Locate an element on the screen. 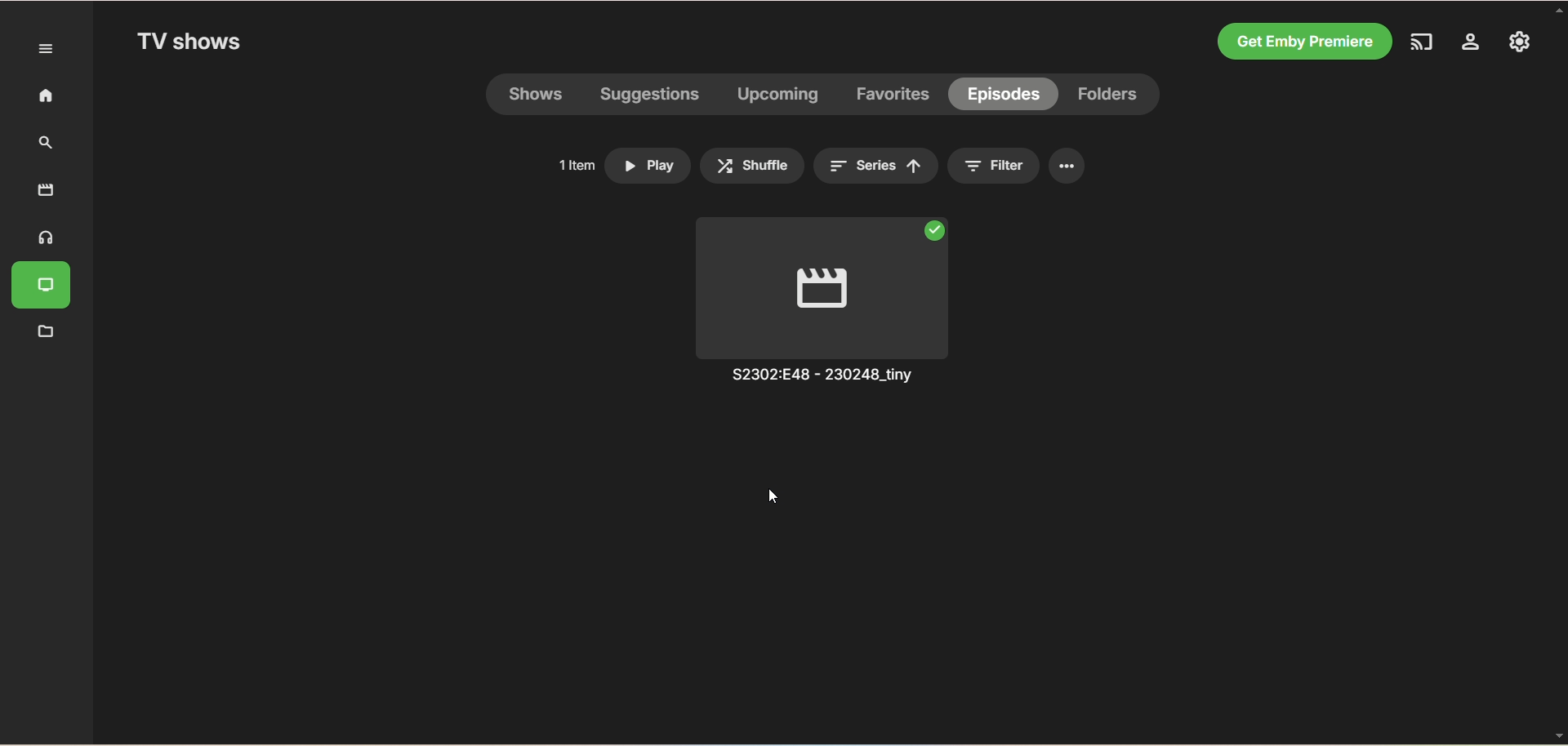 This screenshot has width=1568, height=746. > Play is located at coordinates (649, 162).